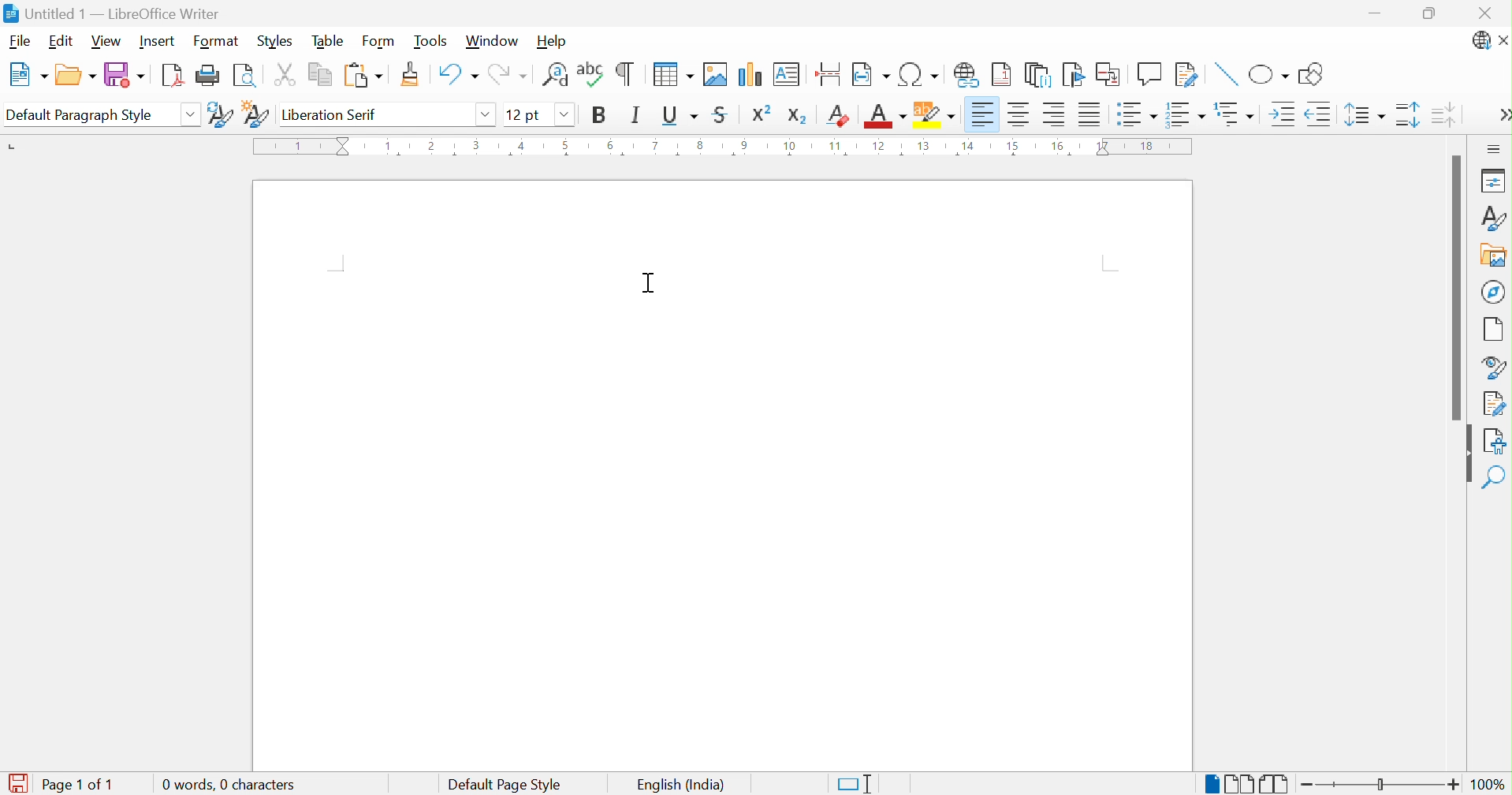 The image size is (1512, 795). What do you see at coordinates (61, 42) in the screenshot?
I see `Edit` at bounding box center [61, 42].